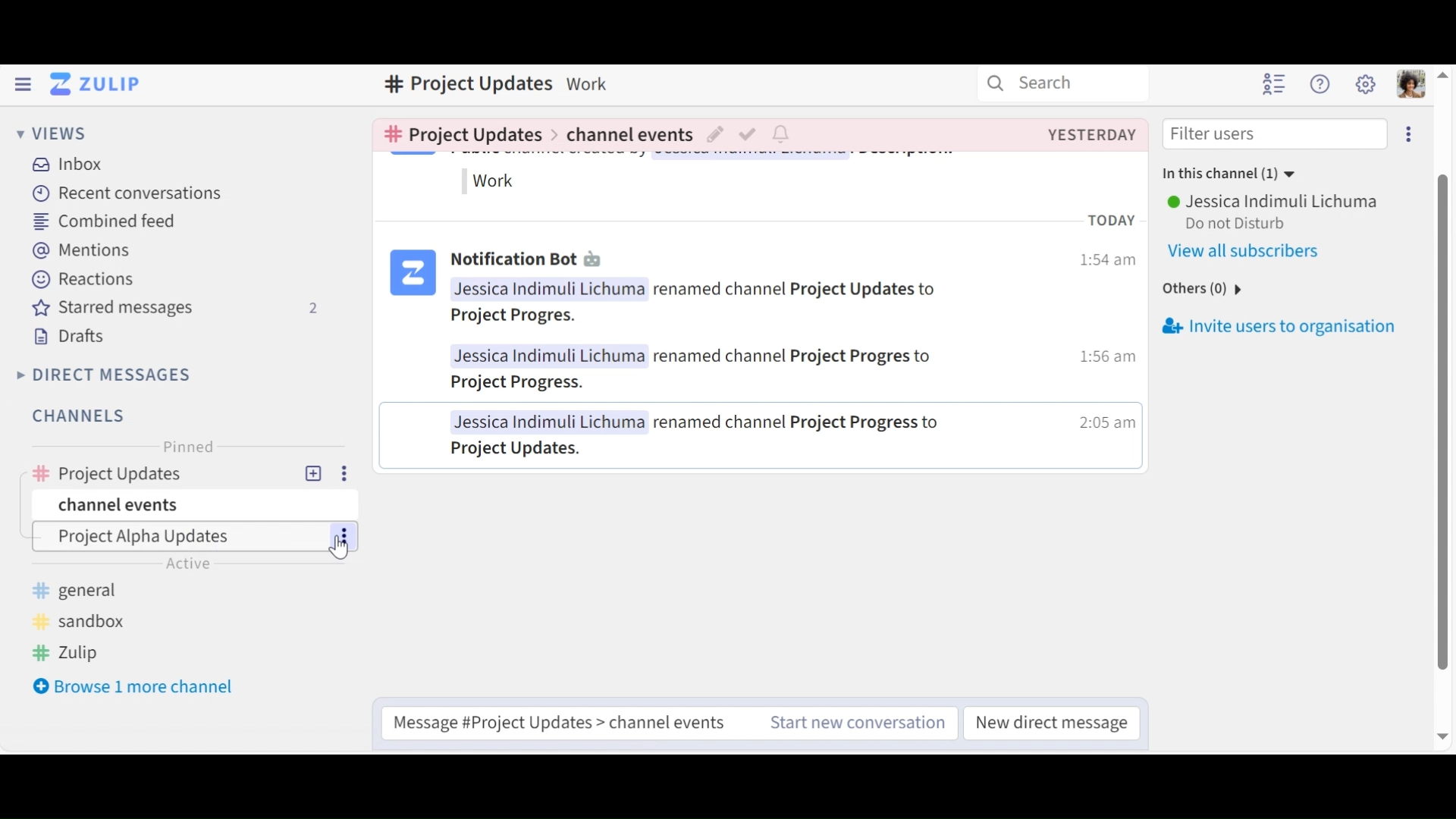 This screenshot has width=1456, height=819. What do you see at coordinates (1106, 263) in the screenshot?
I see `1:54 am` at bounding box center [1106, 263].